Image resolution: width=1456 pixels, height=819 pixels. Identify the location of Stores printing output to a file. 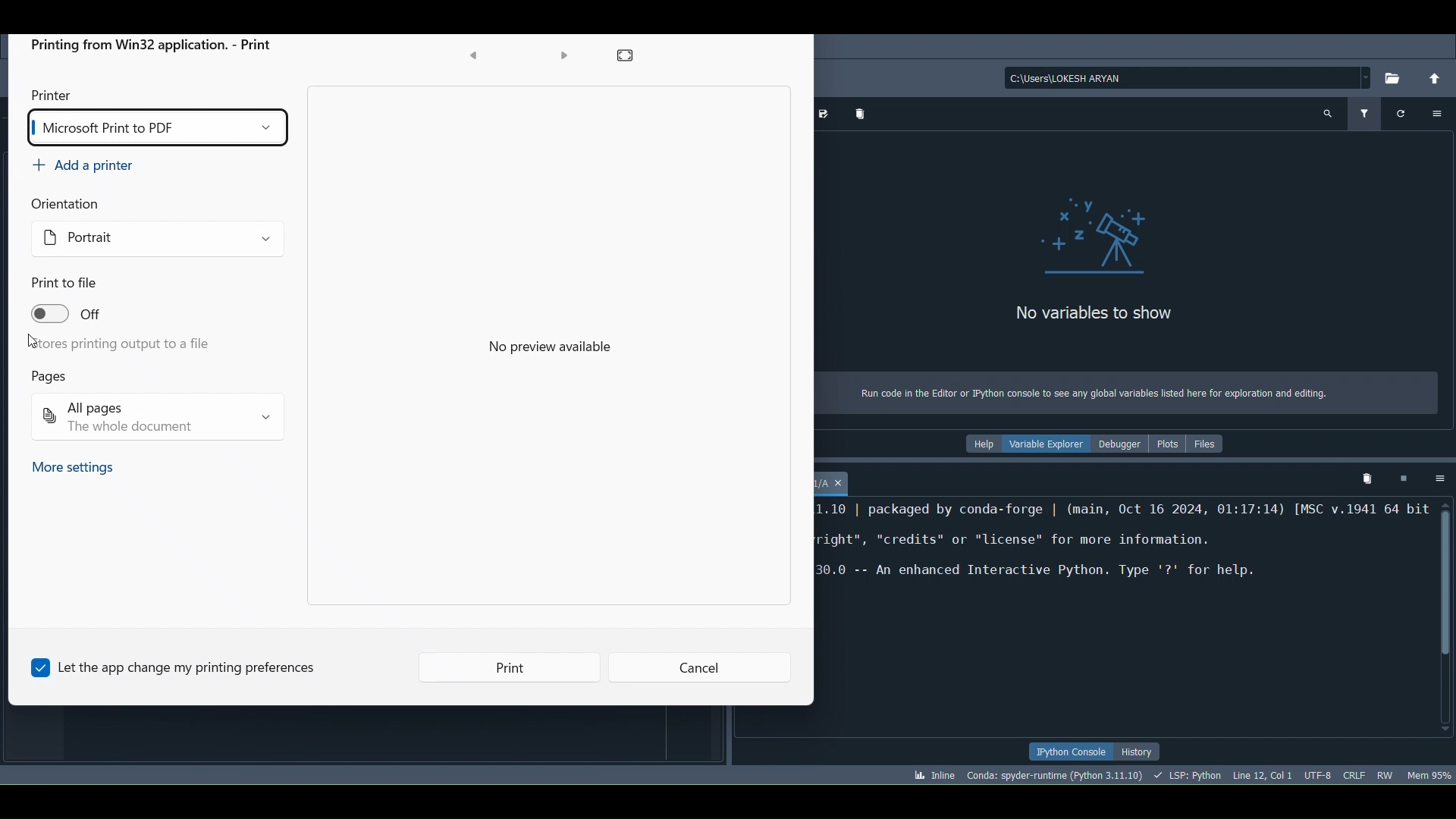
(118, 344).